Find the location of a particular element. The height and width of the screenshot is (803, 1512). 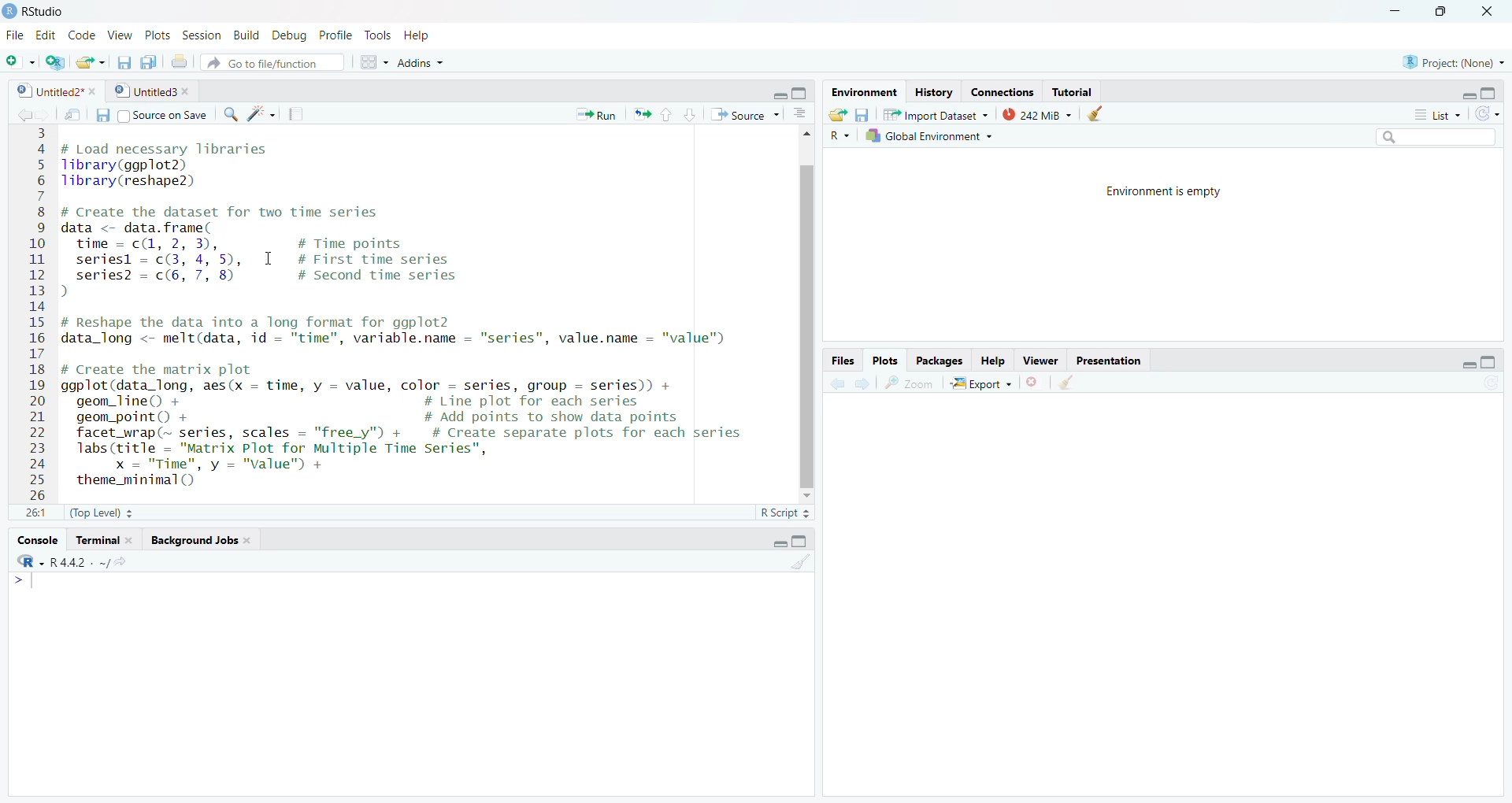

cleaner console is located at coordinates (801, 563).